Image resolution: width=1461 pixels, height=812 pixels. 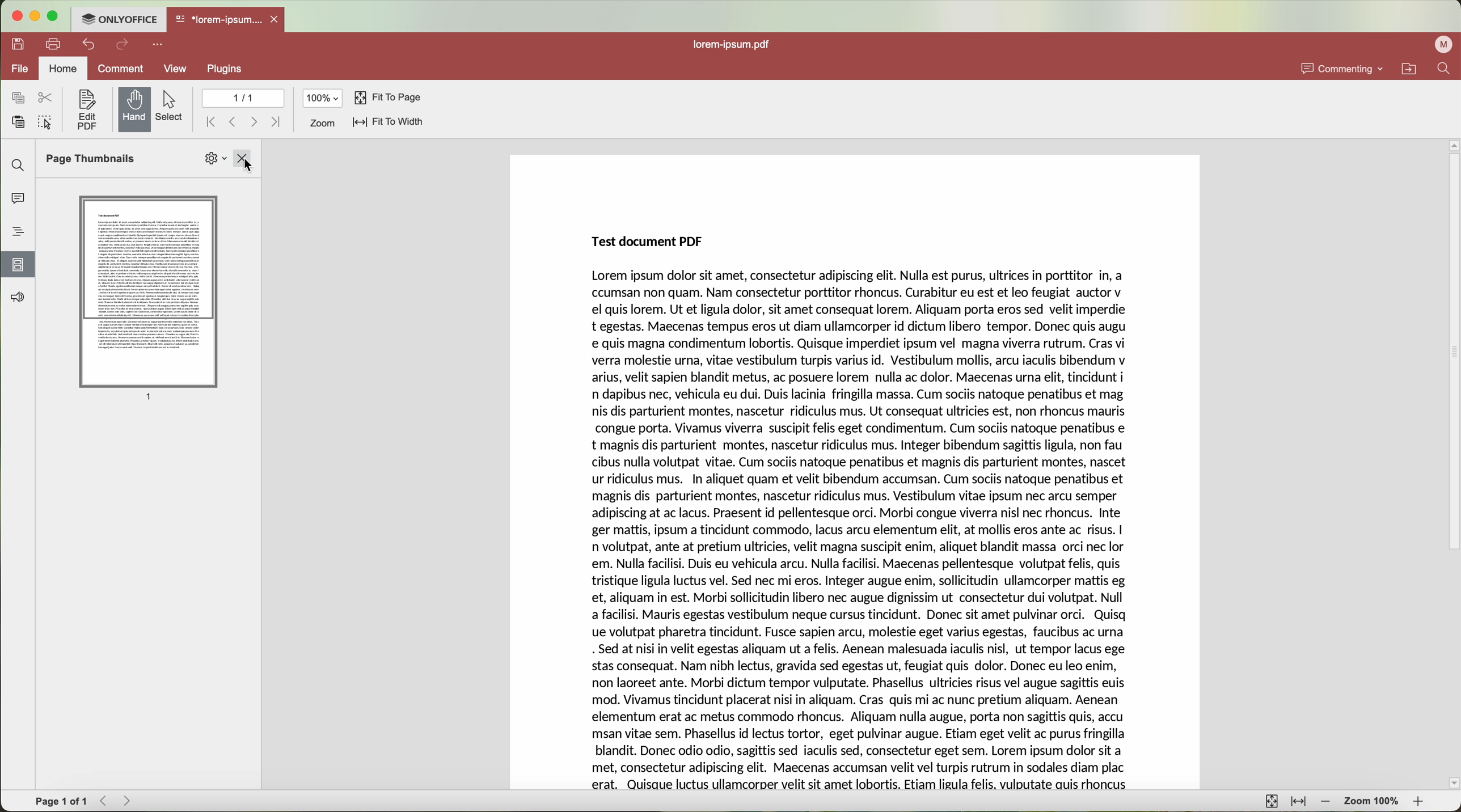 I want to click on Lorem ipsum dolor sit amet, consectetur adipiscing elit. Nulla est purus, ultrices in porttitor In, a
ccumsan non quam. Nam consectetur porttitor rhoncus. Curabitur eu est et leo feugiat auctor v
el quis lorem. Ut et ligula dolor, sit amet consequat lorem. Aliquam porta eros sed velit imperdie
t egestas. Maecenas tempus eros ut diam ullamcorper id dictum libero tempor. Donec quis augu
e quis magna condimentum lobortis. Quisque imperdiet ipsum vel magna viverra rutrum. Cras vi
verra molestie urna, vitae vestibulum turpis varius id. Vestibulum mollis, arcu iaculis bibendum v
arius, velit sapien blandit metus, ac posuere lorem nulla ac dolor. Maecenas urna elit, tincidunt i
n dapibus nec, vehicula eu dui. Duis lacinia fringilla massa. Cum sociis natoque penatibus et mag
nis dis parturient montes, nascetur ridiculus mus. Ut consequat ultricies est, non rhoncus mauris
congue porta. Vivamus viverra suscipit felis eget condimentum. Cum sociis natoque penatibus e
t magnis dis parturient montes, nascetur ridiculus mus. Integer bibendum sagittis ligula, non fau
cibus nulla volutpat vitae. Cum sociis natoque penatibus et magnis dis parturient montes, nascet
ur ridiculus mus. In aliquet quam et velit bibendum accumsan. Cum sociis natoque penatibus et
magnis dis parturient montes, nascetur ridiculus mus. Vestibulum vitae ipsum nec arcu semper
adipiscing at ac lacus. Praesent id pellentesque orci. Morbi congue viverra nisl nec rhoncus. Inte
ger mattis, ipsum a tincidunt commodo, lacus arcu elementum elit, at mollis eros ante ac risus. |
n volutpat, ante at pretium ultricies, velit magna suscipit enim, aliquet blandit massa orci nec lor
em. Nulla facilisi. Duis eu vehicula arcu. Nulla facilisi. Maecenas pellentesque volutpat felis, quis
tristique ligula luctus vel. Sed nec mi eros. Integer augue enim, sollicitudin ullamcorper mattis eg
et, aliquam in est. Morbi sollicitudin libero nec augue dignissim ut consectetur dui volutpat. Null
a facilisi. Mauris egestas vestibulum neque cursus tincidunt. Donec sit amet pulvinar orci. Quisq
ue volutpat pharetra tincidunt. Fusce sapien arcu, molestie eget varius egestas, faucibus ac urna
. Sed at nisi in velit egestas aliquam ut a felis. Aenean malesuada iaculis nisl, ut tempor lacus ege
stas consequat. Nam nibh lectus, gravida sed egestas ut, feugiat quis dolor. Donec eu leo enim,
non laoreet ante. Morbi dictum tempor vulputate. Phasellus ultricies risus vel augue sagittis euis
mod. Vivamus tincidunt placerat nisi in aliquam. Cras quis mi ac nunc pretium aliquam. Aenean
elementum erat ac metus commodo rhoncus. Aliquam nulla augue, porta non sagittis quis, accu
msan vitae sem. Phasellus id lectus tortor, eget pulvinar augue. Etiam eget velit ac purus fringilla
blandit. Donec odio odio, sagittis sed iaculis sed, consectetur eget sem. Lorem ipsum dolor sit a
met, consectetur adipiscing elit. Maecenas accumsan velit vel turpis rutrum in sodales diam plac
erat. Quisque luctus ullamcorper velit sit amet lobortis. Etiam ligula felis, vulputate auis rhoncus, so click(x=859, y=530).